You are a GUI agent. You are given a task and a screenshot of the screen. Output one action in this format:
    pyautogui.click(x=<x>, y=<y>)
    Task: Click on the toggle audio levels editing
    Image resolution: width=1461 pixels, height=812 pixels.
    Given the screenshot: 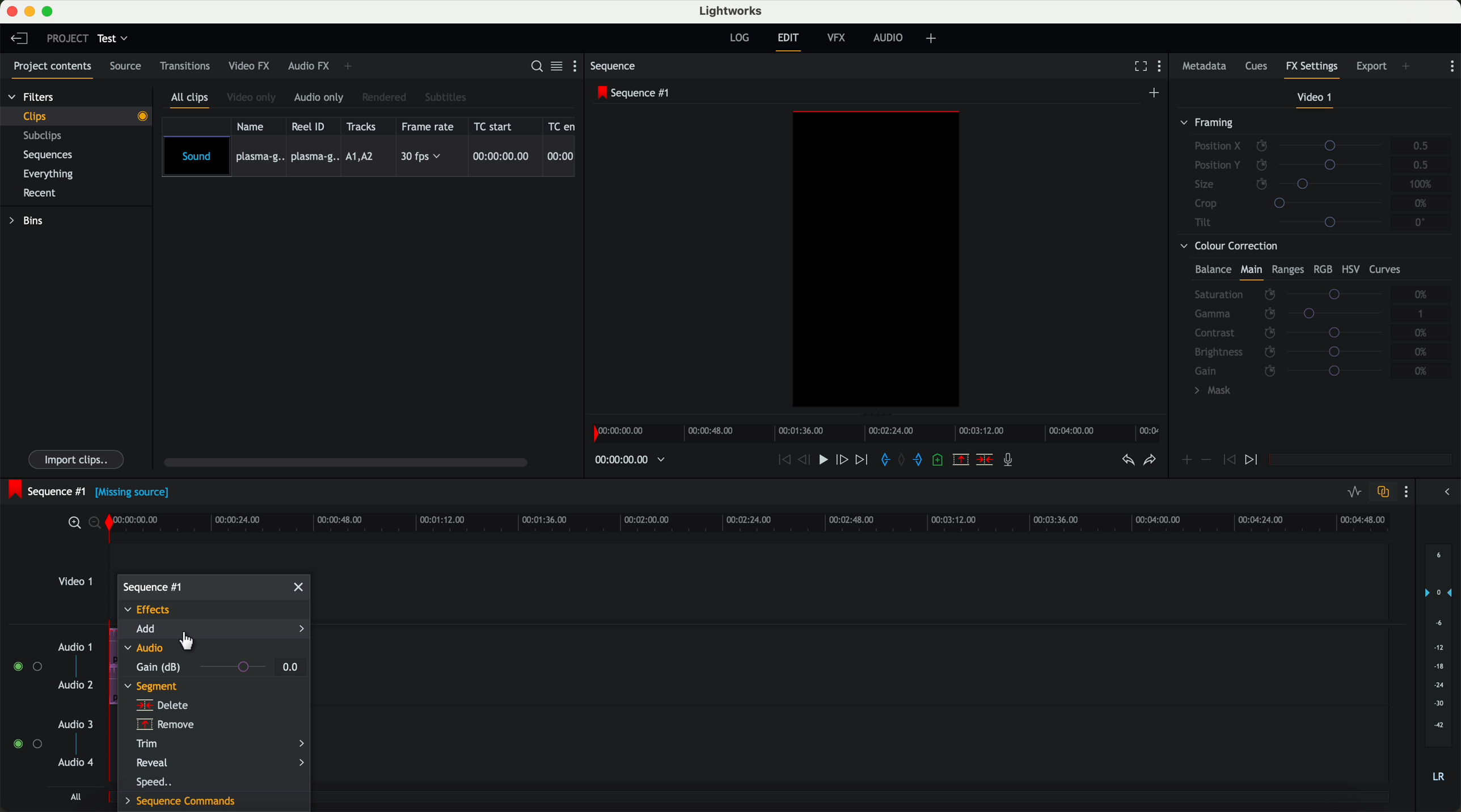 What is the action you would take?
    pyautogui.click(x=1354, y=492)
    